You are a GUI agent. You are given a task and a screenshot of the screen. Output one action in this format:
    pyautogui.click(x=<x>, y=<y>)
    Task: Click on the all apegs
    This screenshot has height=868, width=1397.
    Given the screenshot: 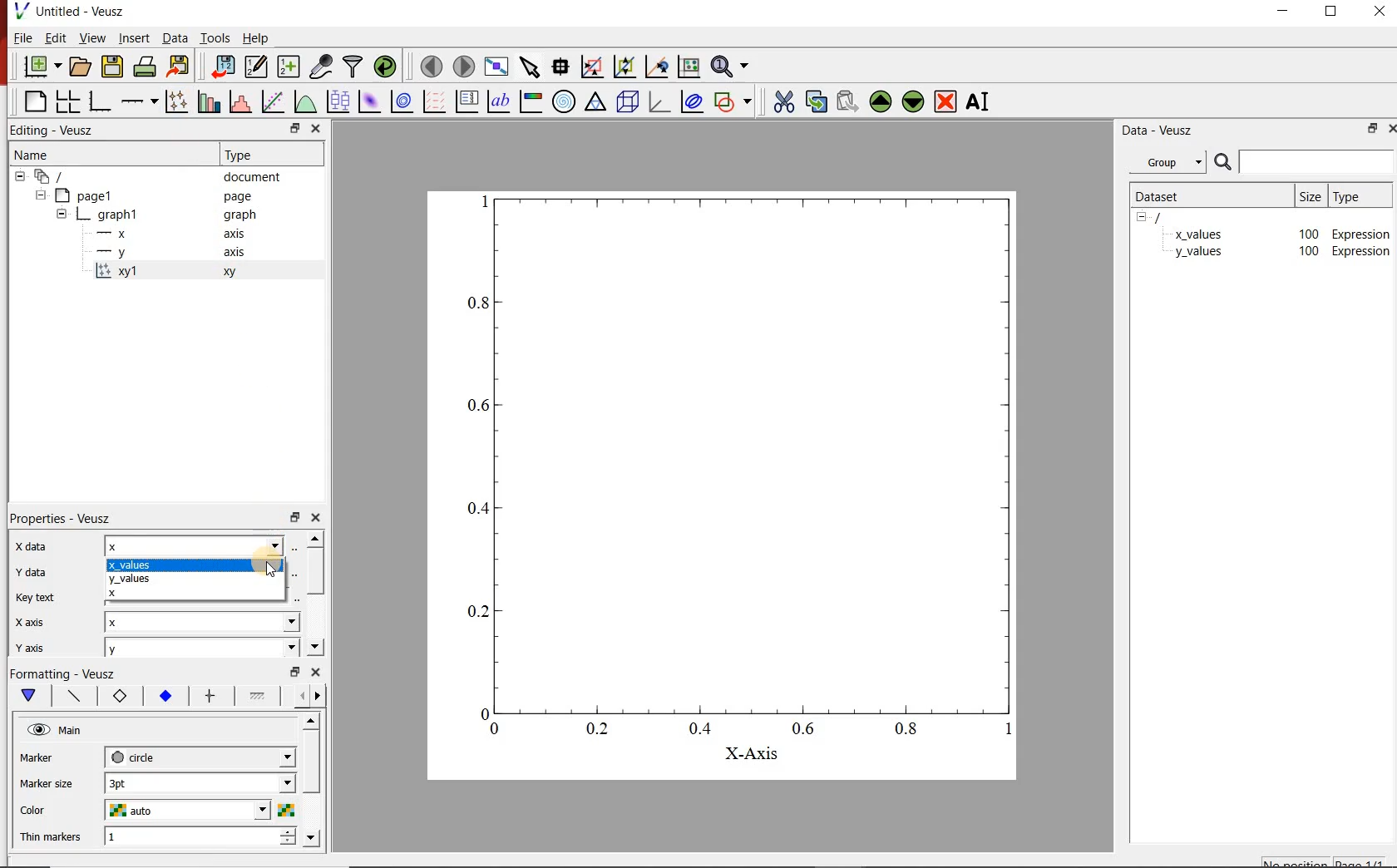 What is the action you would take?
    pyautogui.click(x=58, y=176)
    